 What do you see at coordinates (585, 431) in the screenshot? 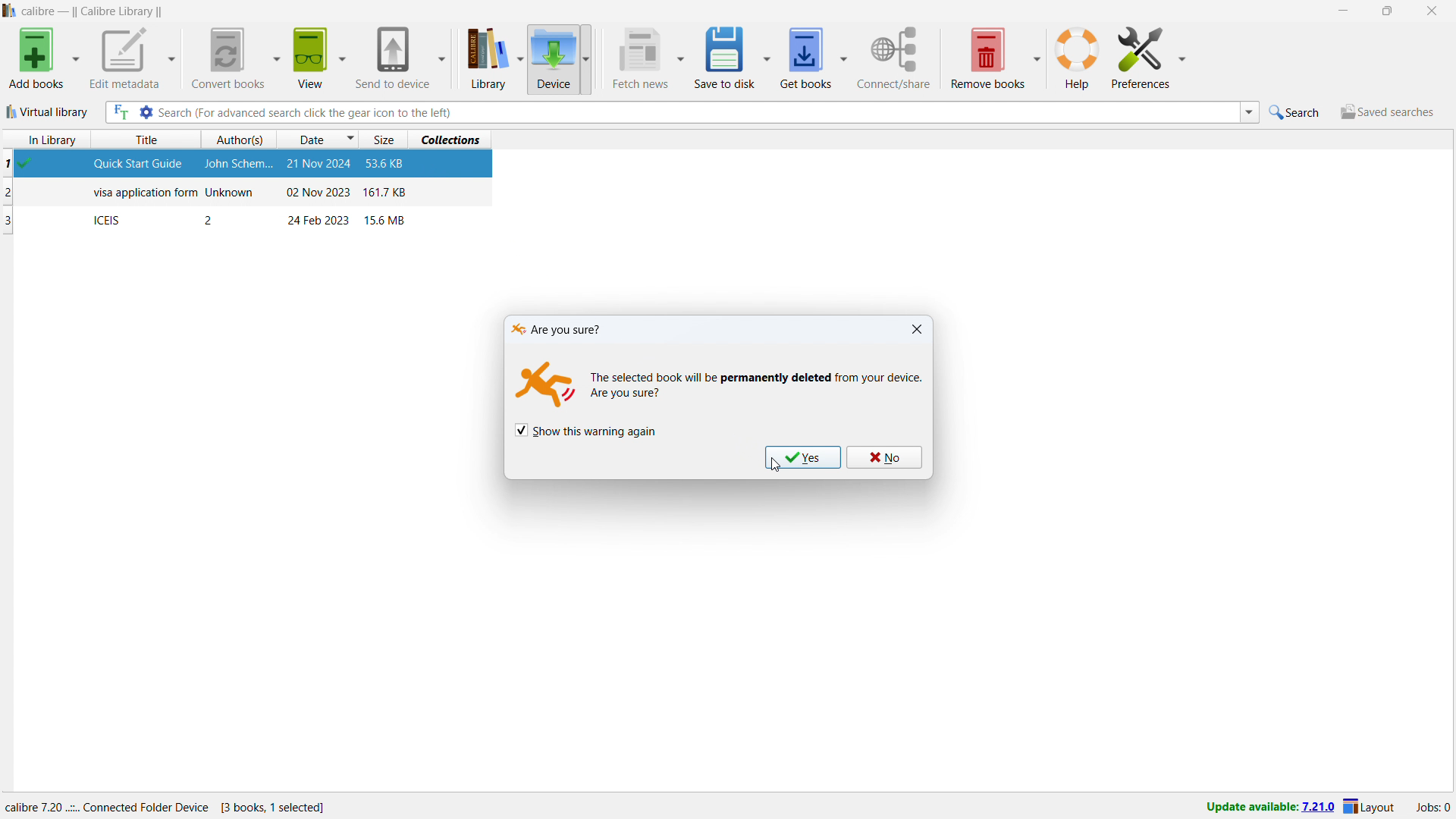
I see `show this warning again` at bounding box center [585, 431].